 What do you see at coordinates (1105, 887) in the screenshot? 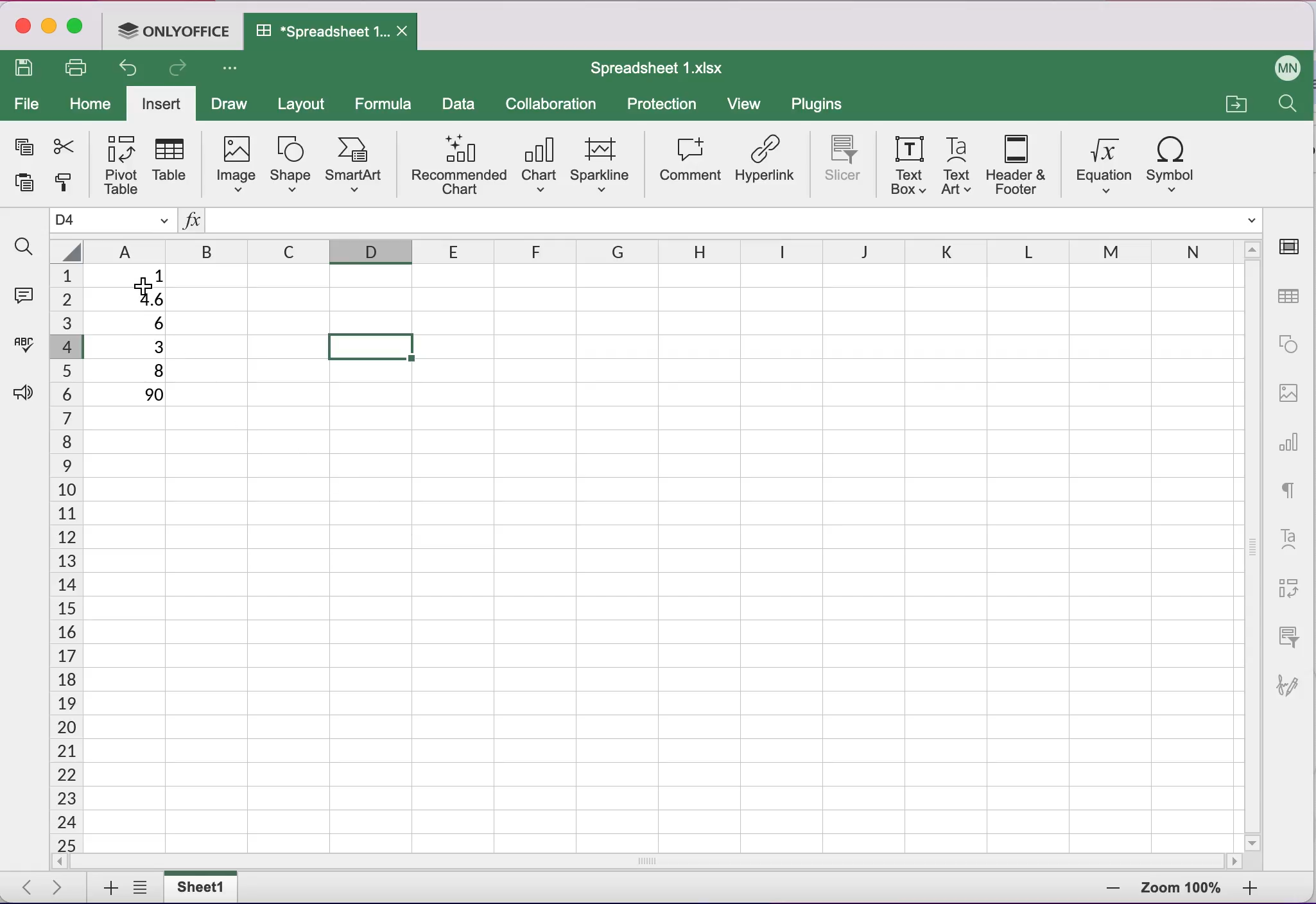
I see `zoom out` at bounding box center [1105, 887].